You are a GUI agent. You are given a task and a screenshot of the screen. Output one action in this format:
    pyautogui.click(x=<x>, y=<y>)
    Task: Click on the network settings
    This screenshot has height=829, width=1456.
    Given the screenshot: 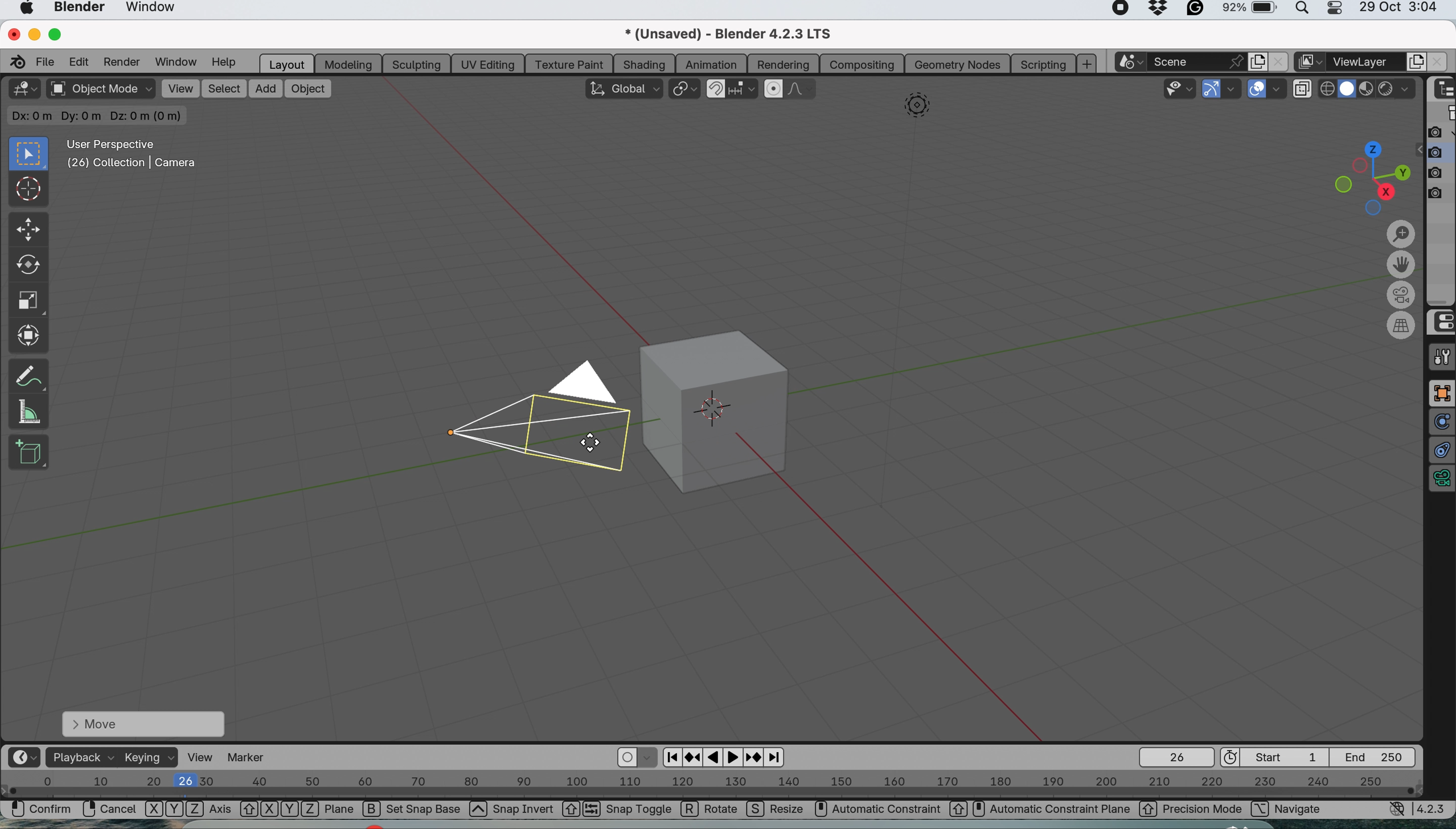 What is the action you would take?
    pyautogui.click(x=1397, y=811)
    